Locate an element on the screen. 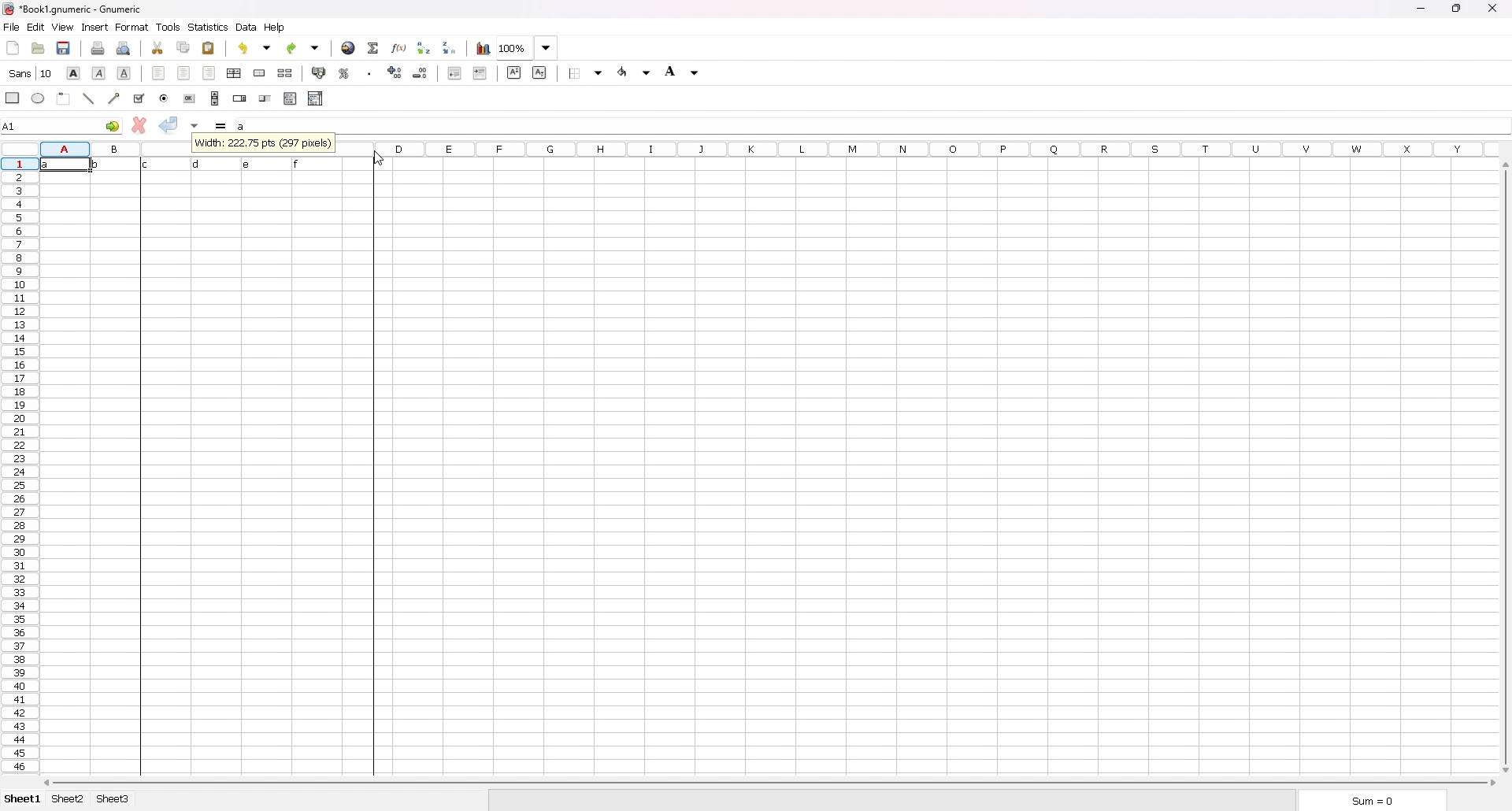  accounting is located at coordinates (320, 72).